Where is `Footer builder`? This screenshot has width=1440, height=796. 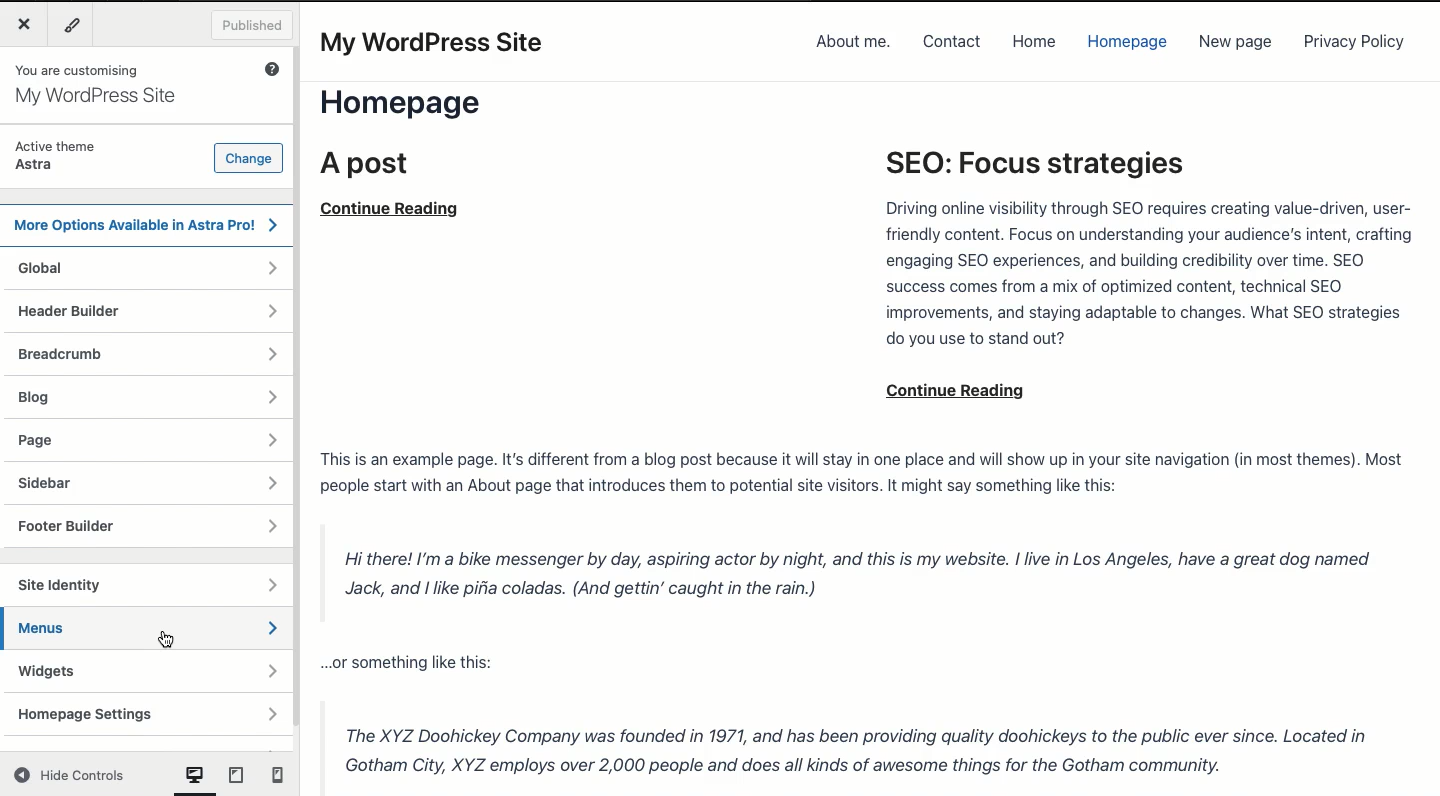
Footer builder is located at coordinates (146, 527).